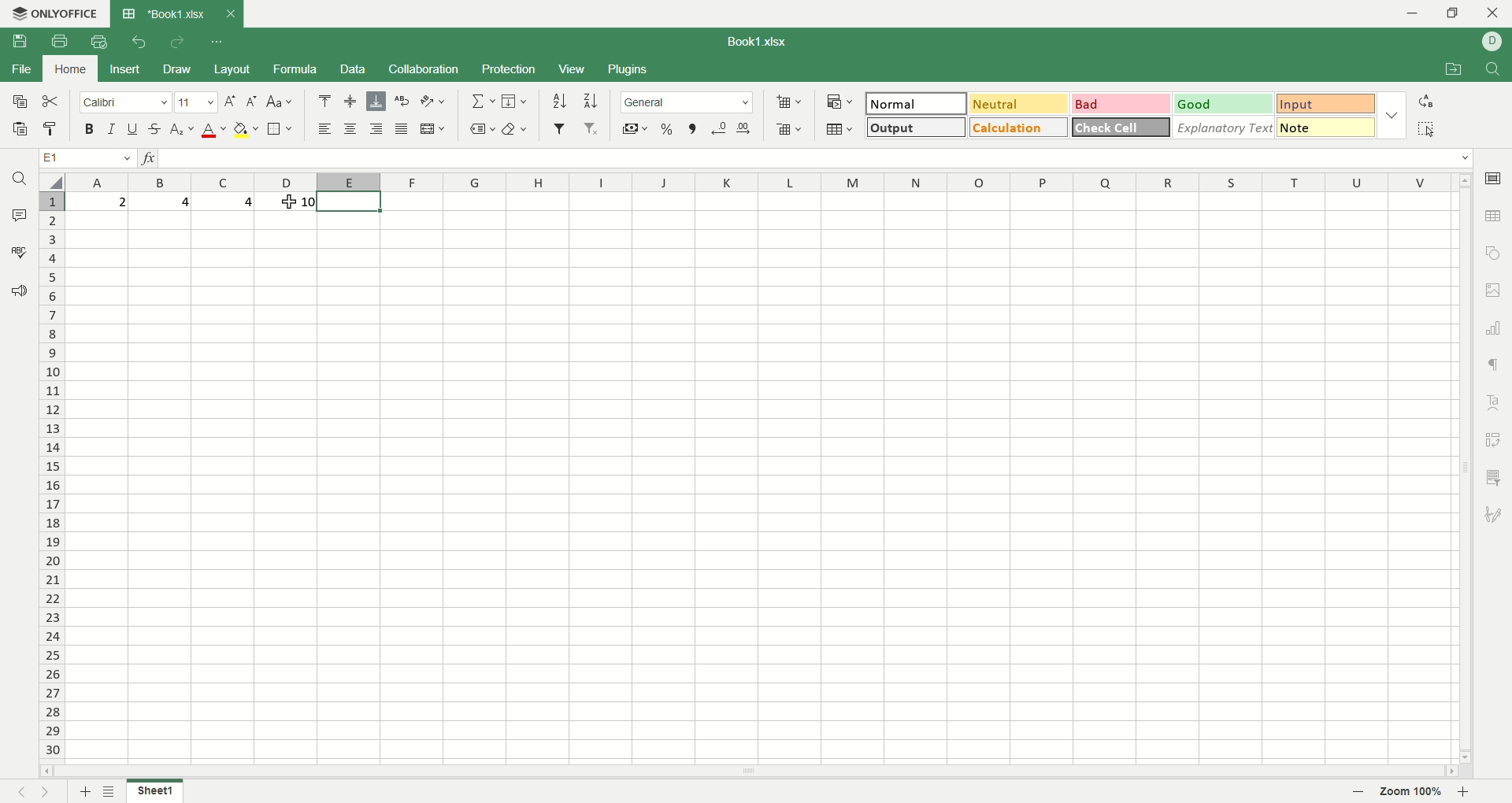  I want to click on italics, so click(112, 128).